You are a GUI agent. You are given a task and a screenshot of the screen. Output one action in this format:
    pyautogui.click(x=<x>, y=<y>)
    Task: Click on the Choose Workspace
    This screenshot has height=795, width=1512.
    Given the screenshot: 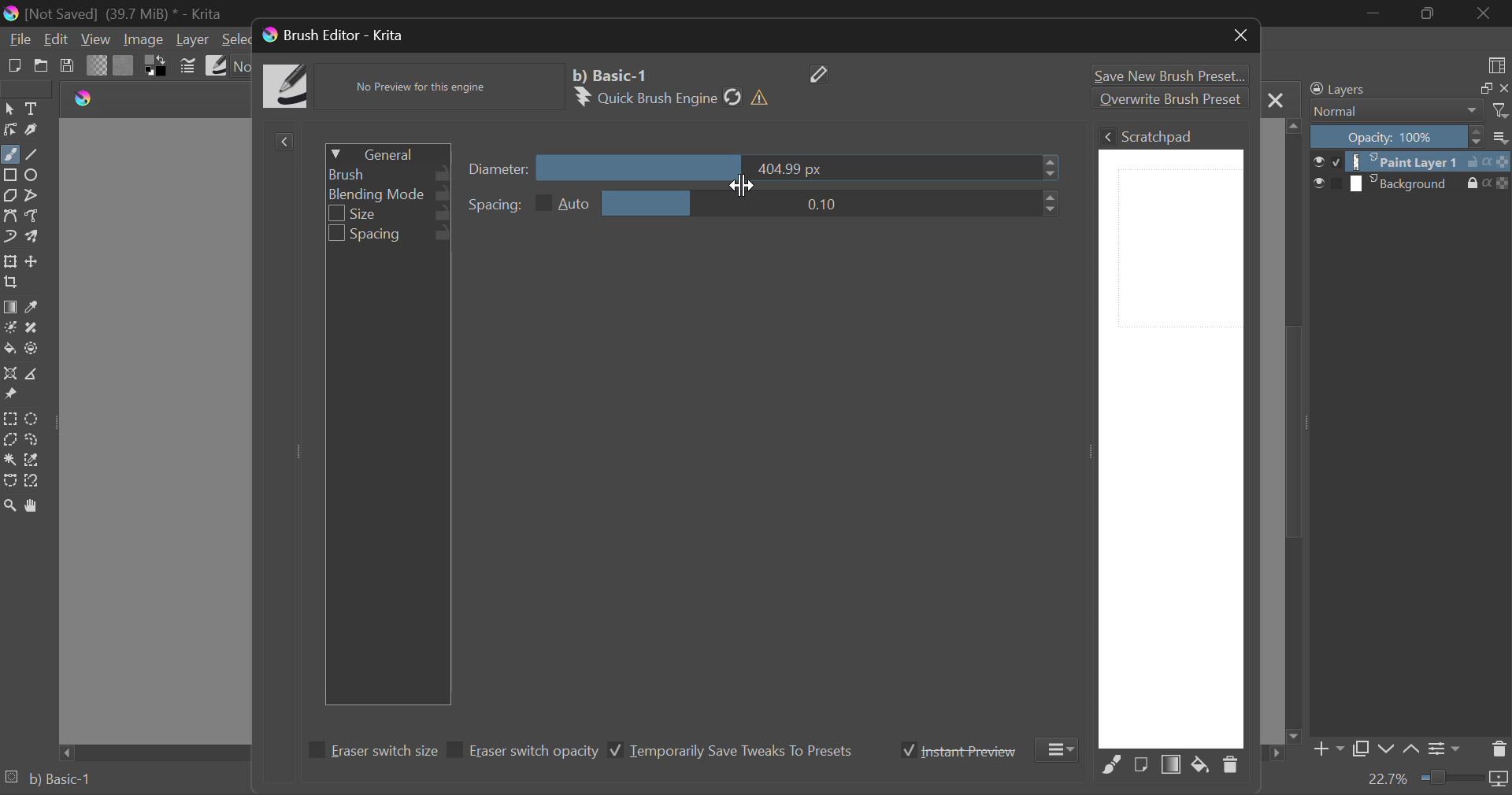 What is the action you would take?
    pyautogui.click(x=1499, y=65)
    